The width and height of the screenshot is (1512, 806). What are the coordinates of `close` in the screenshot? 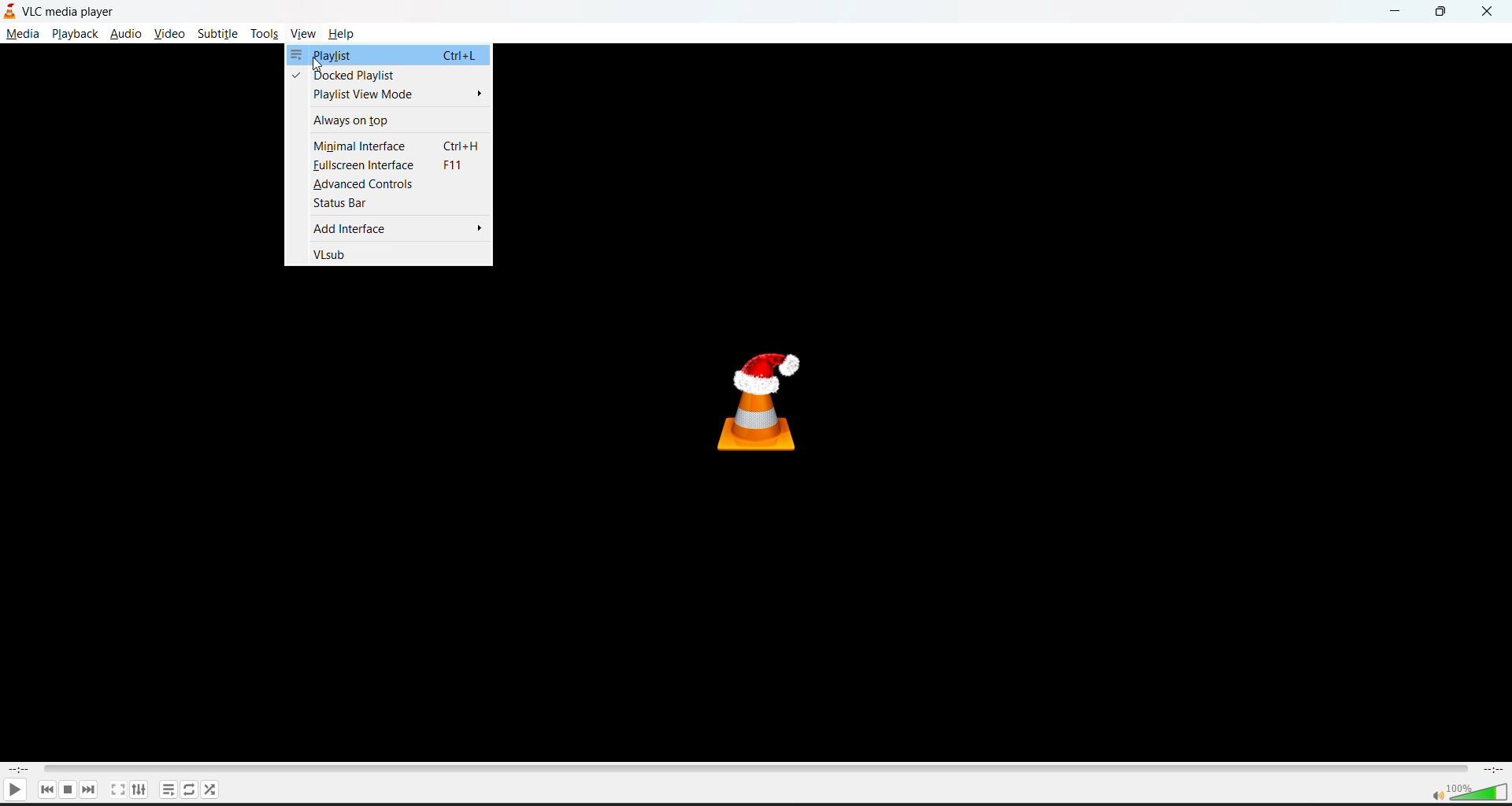 It's located at (1488, 13).